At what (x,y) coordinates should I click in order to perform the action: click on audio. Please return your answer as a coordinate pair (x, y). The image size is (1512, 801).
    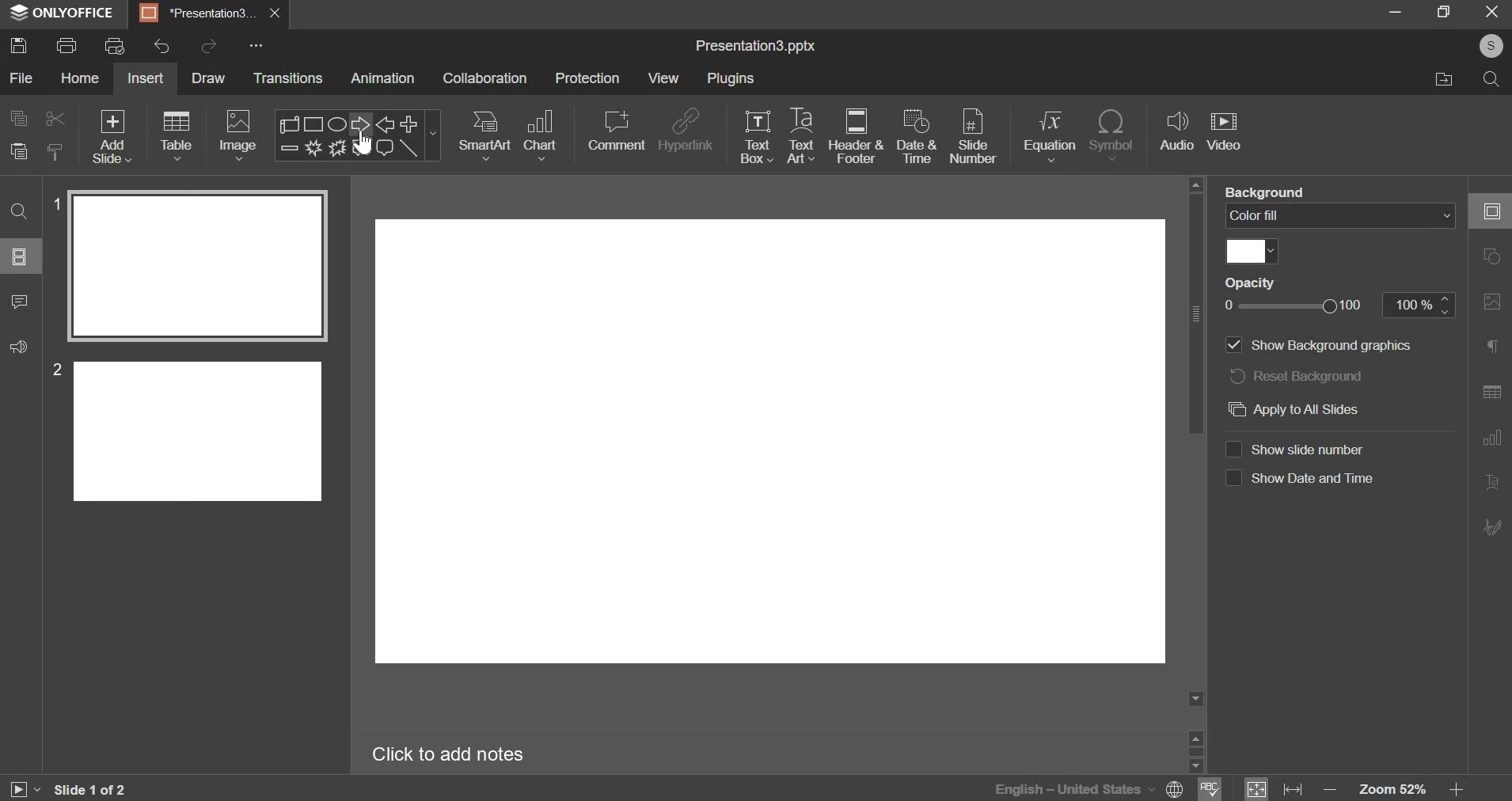
    Looking at the image, I should click on (1178, 131).